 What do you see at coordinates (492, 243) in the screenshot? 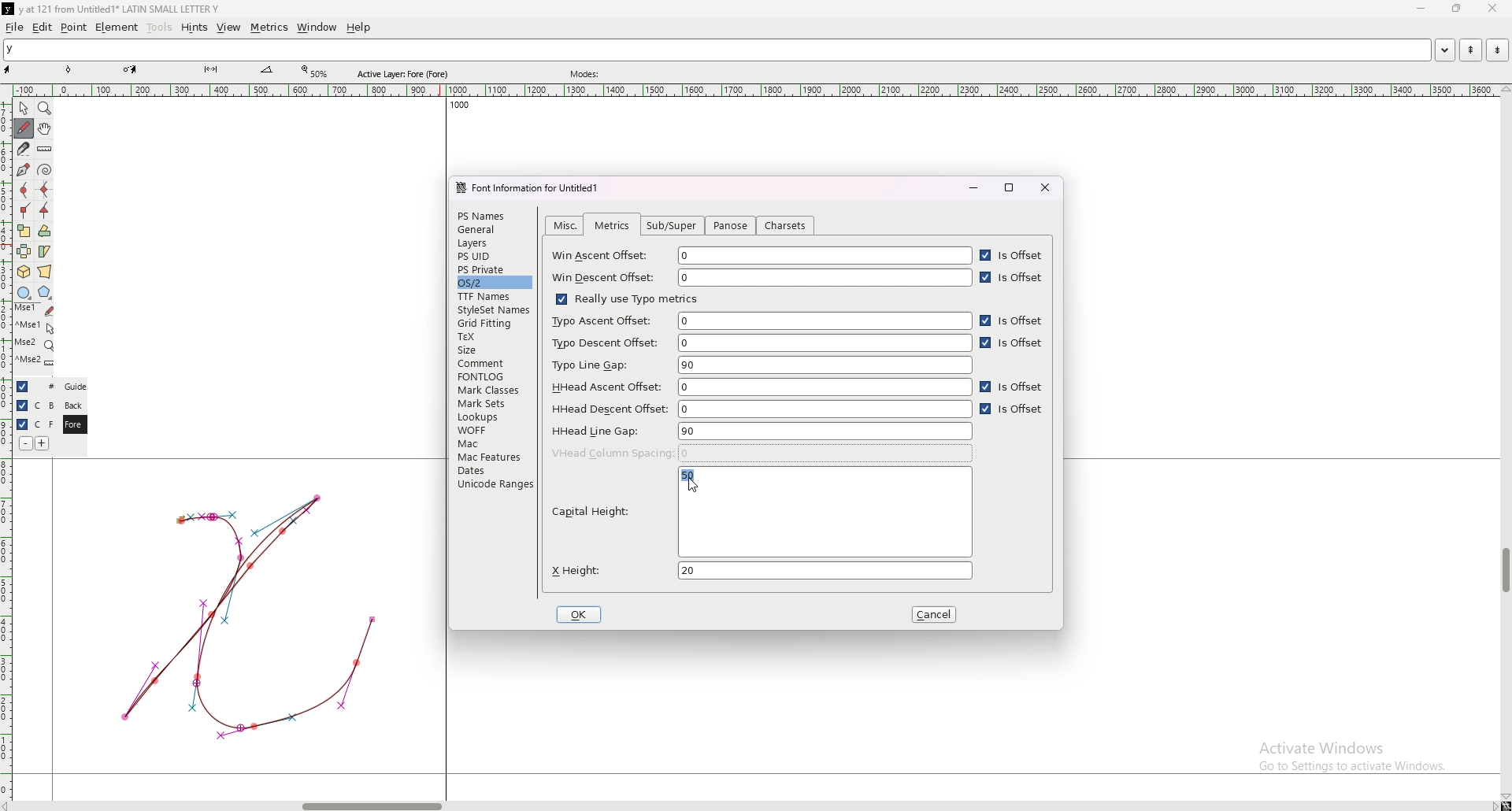
I see `layers` at bounding box center [492, 243].